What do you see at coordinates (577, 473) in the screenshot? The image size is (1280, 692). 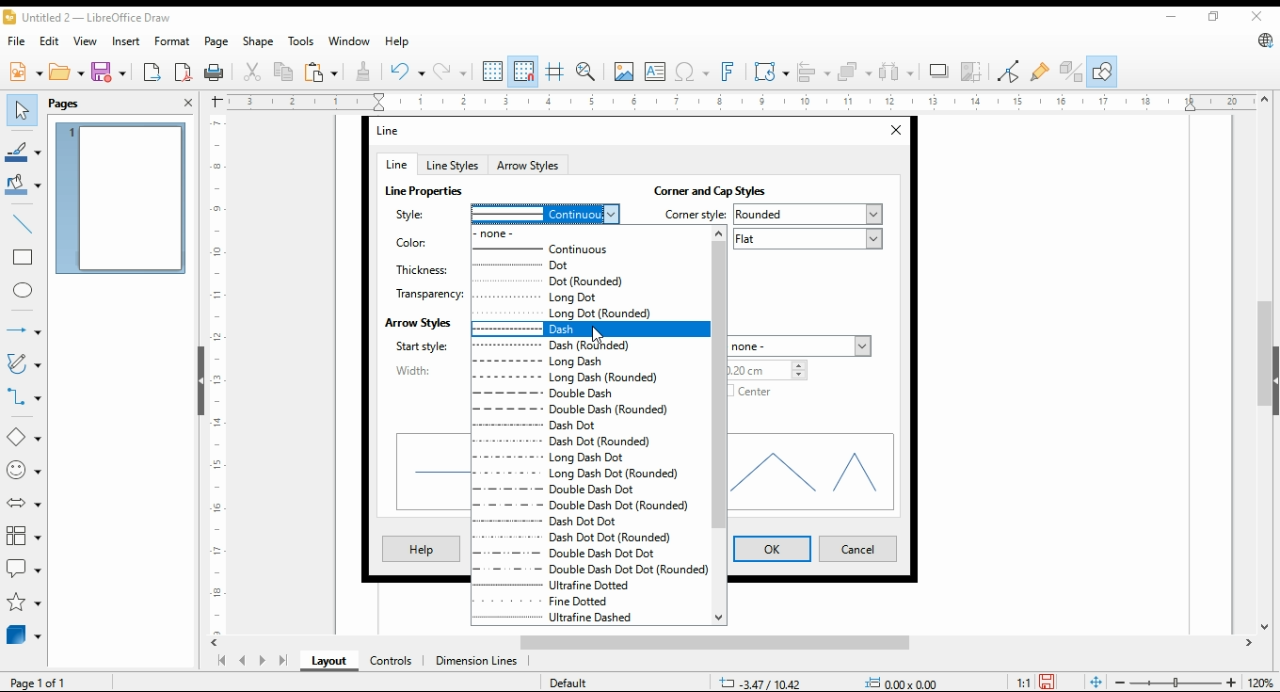 I see `long dash dot (rounded)` at bounding box center [577, 473].